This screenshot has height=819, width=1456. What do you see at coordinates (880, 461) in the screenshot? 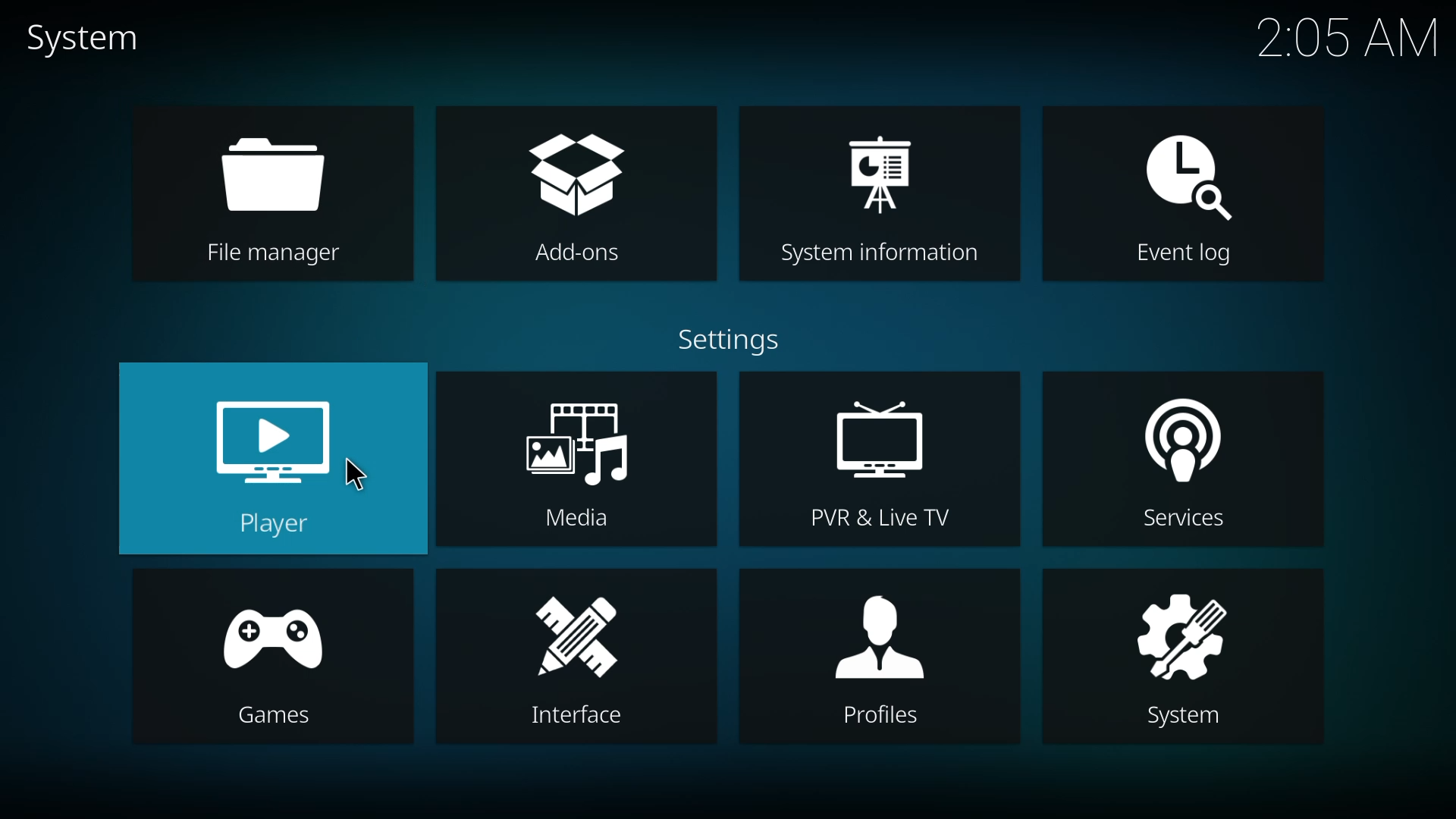
I see `pvr & live tv` at bounding box center [880, 461].